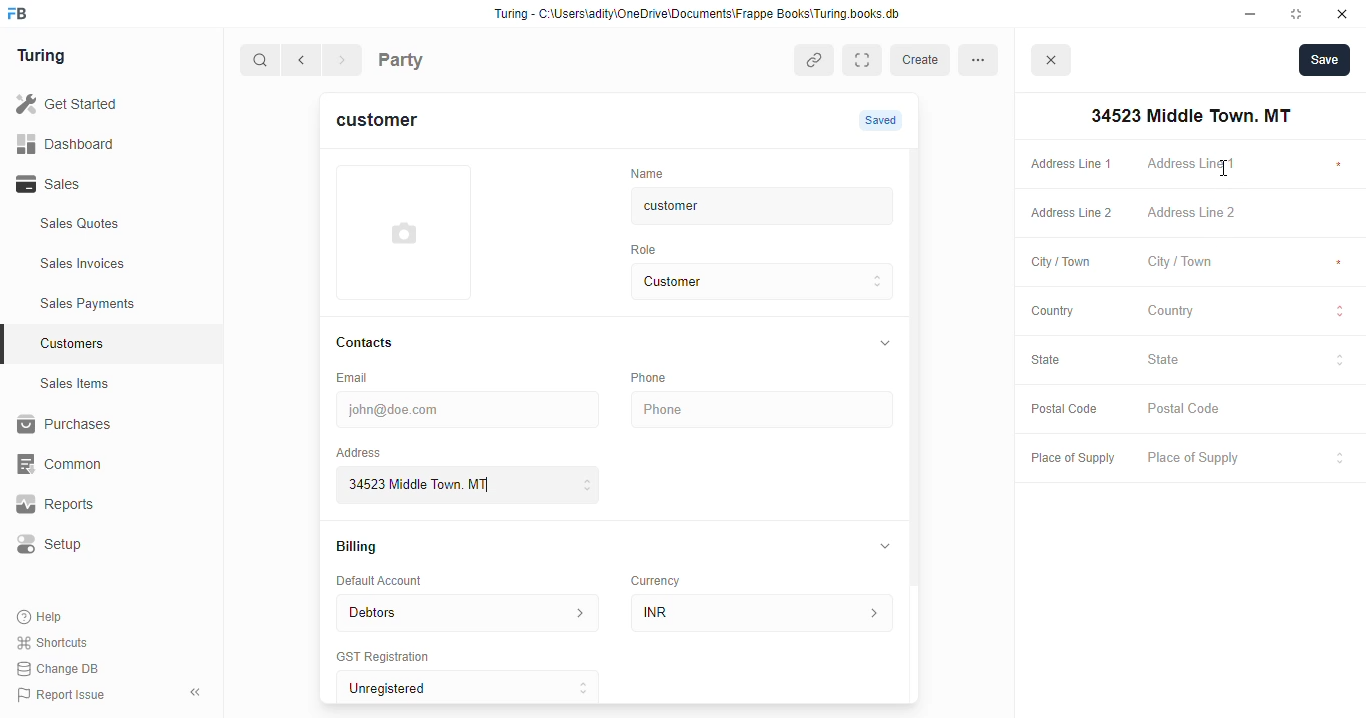 The width and height of the screenshot is (1366, 718). Describe the element at coordinates (1061, 264) in the screenshot. I see `City / Town` at that location.